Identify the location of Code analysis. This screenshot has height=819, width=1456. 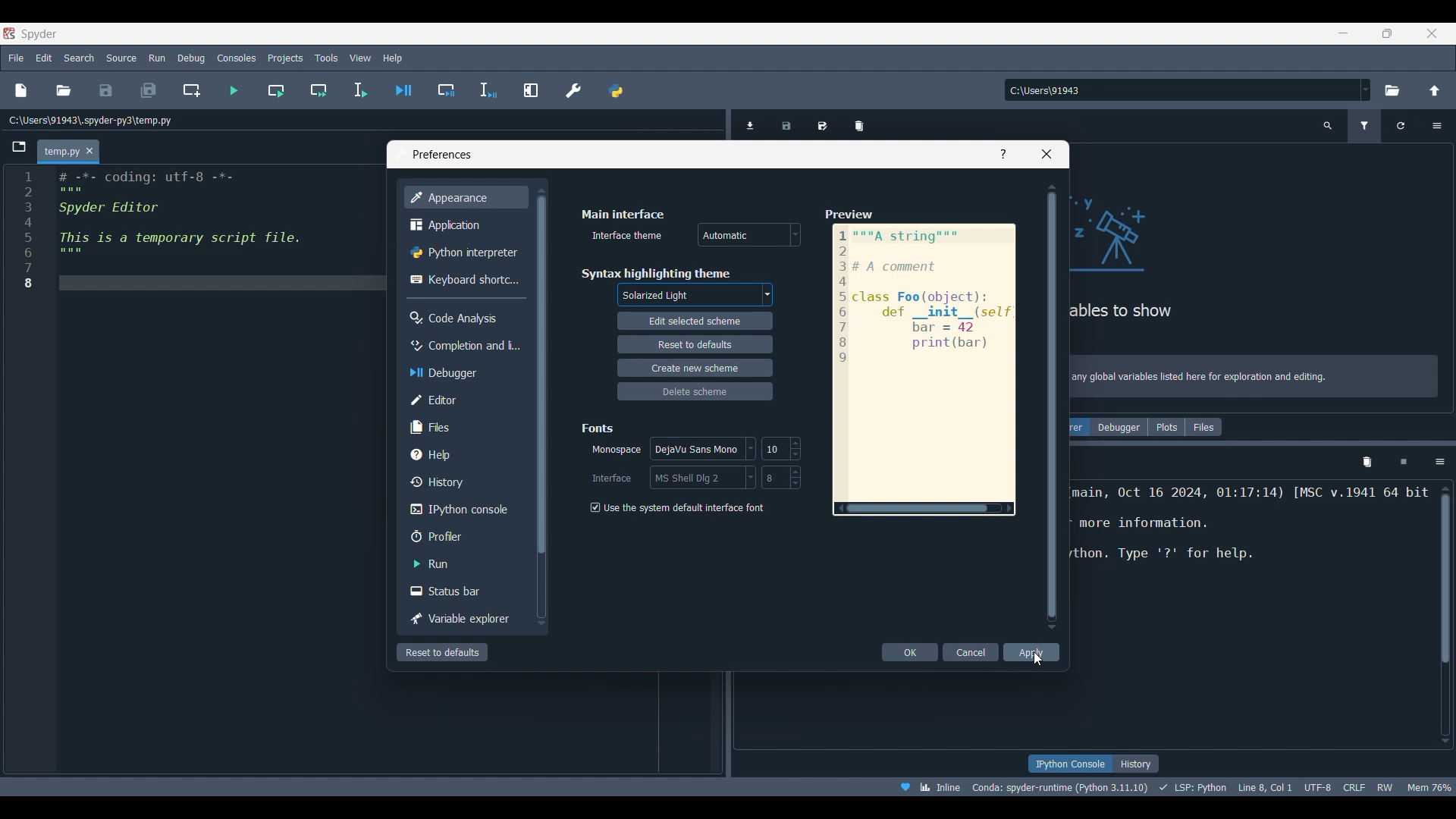
(463, 318).